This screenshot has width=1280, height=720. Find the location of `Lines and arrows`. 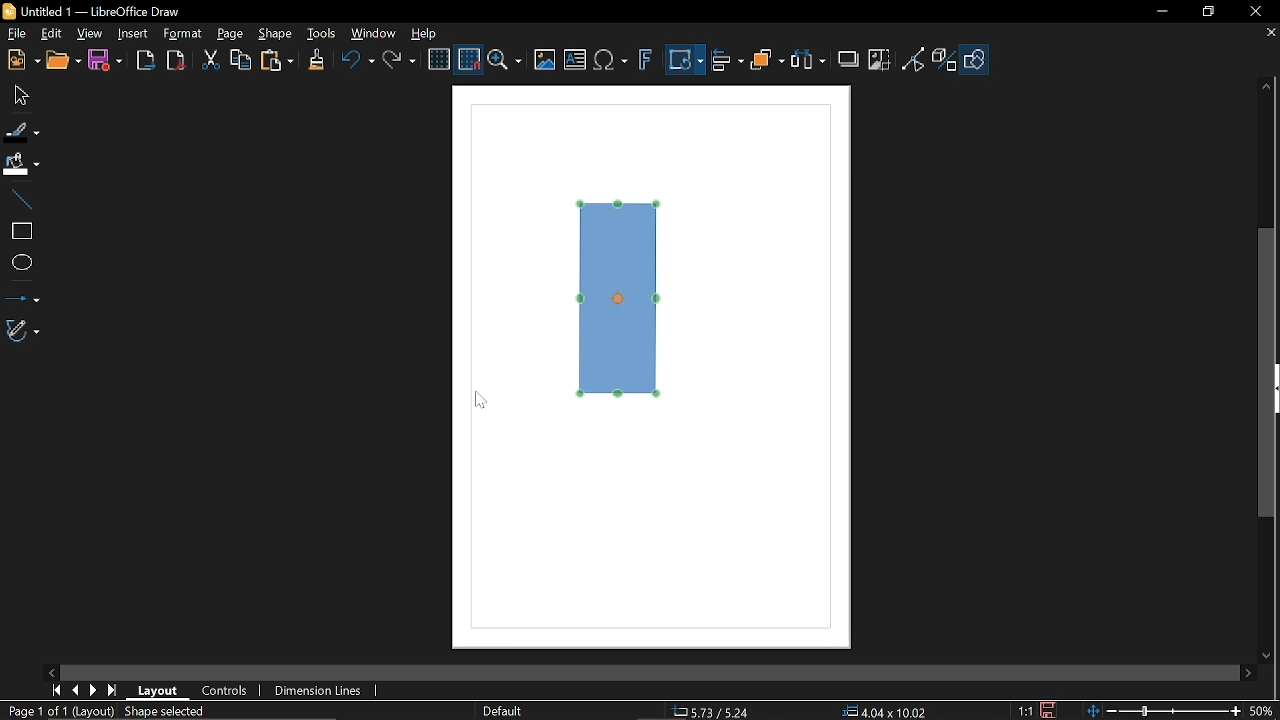

Lines and arrows is located at coordinates (21, 296).